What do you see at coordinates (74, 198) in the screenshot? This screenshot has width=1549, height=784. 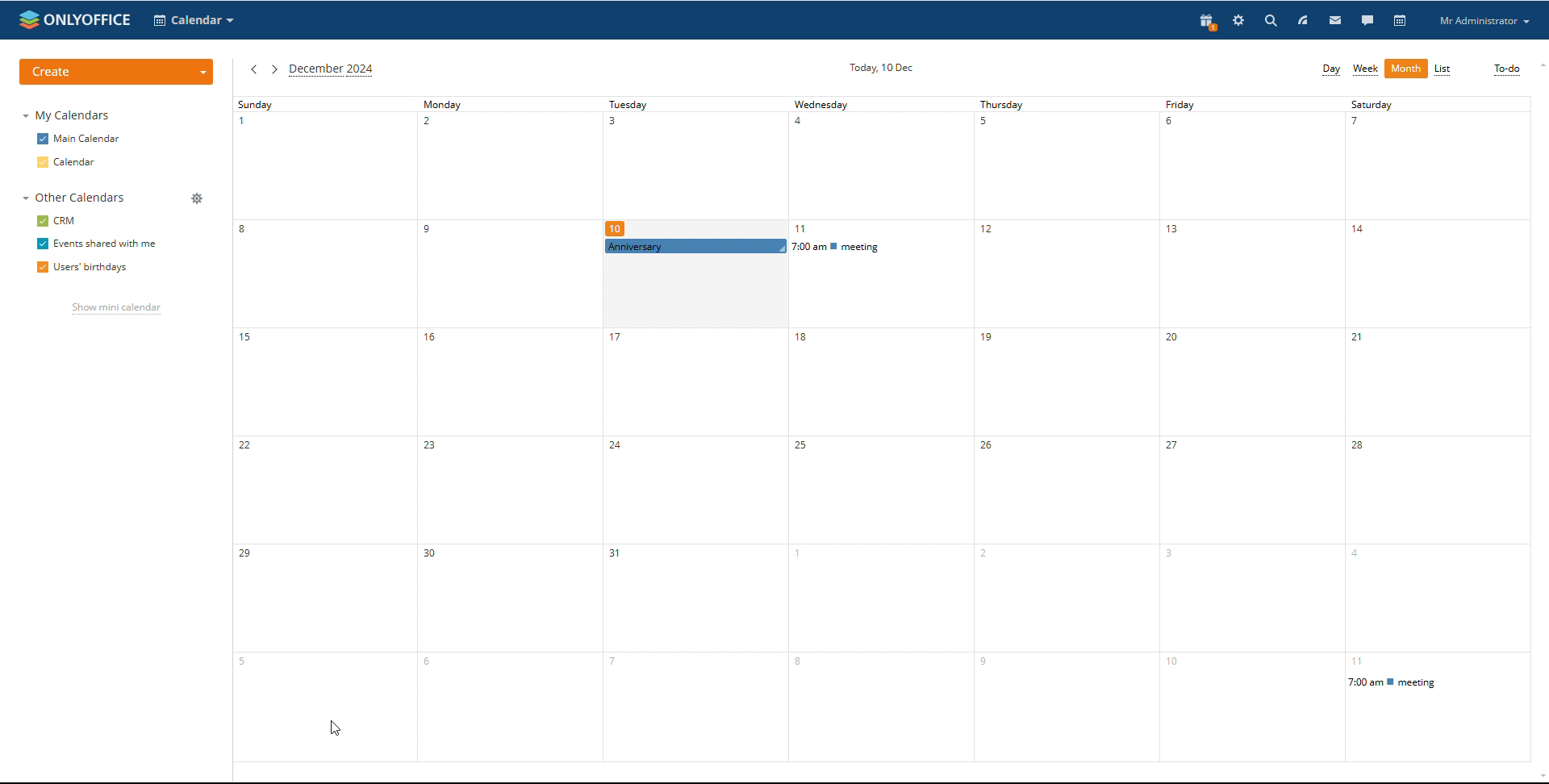 I see `other calendars` at bounding box center [74, 198].